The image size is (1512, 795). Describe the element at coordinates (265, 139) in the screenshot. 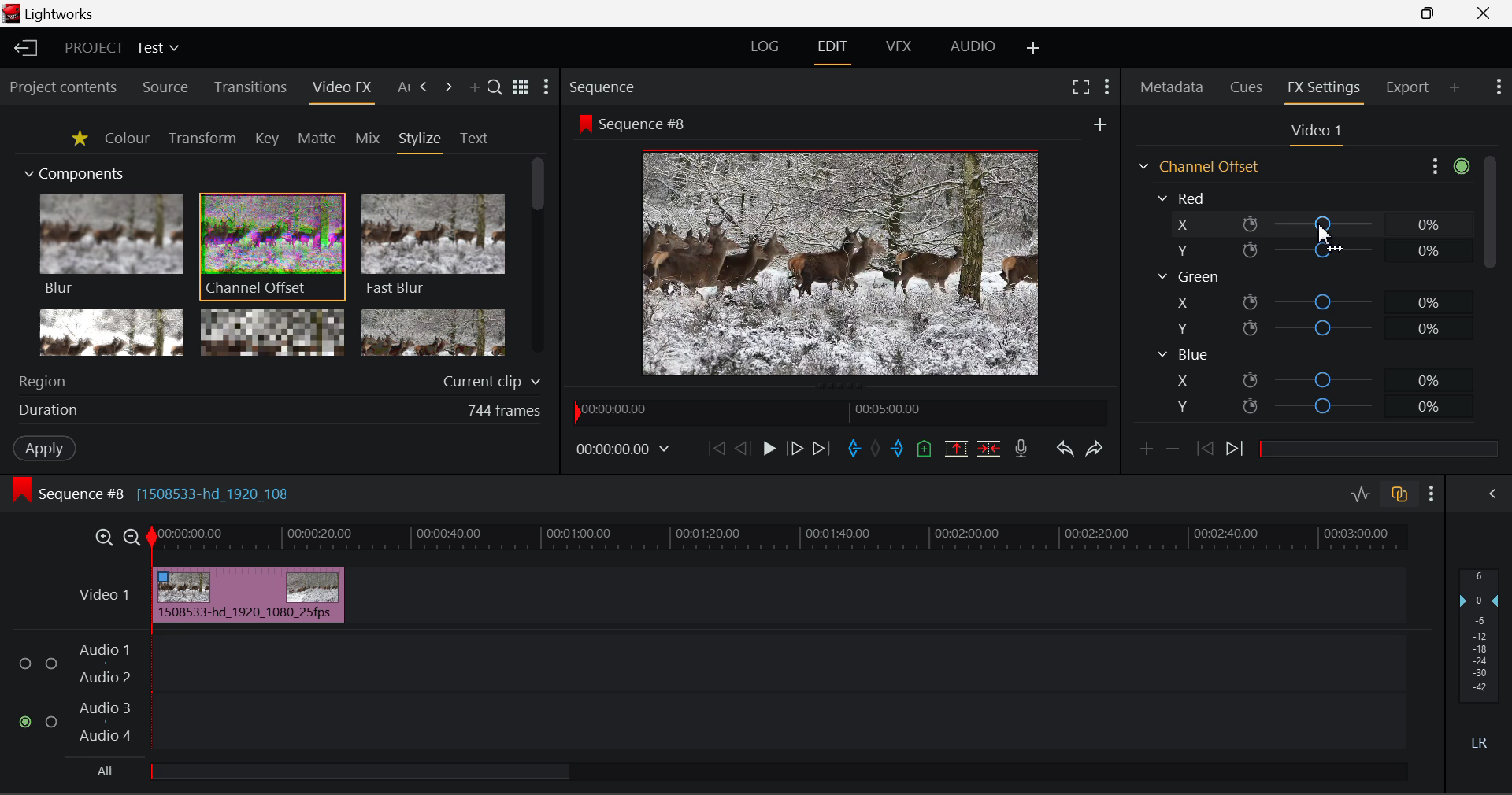

I see `Key` at that location.